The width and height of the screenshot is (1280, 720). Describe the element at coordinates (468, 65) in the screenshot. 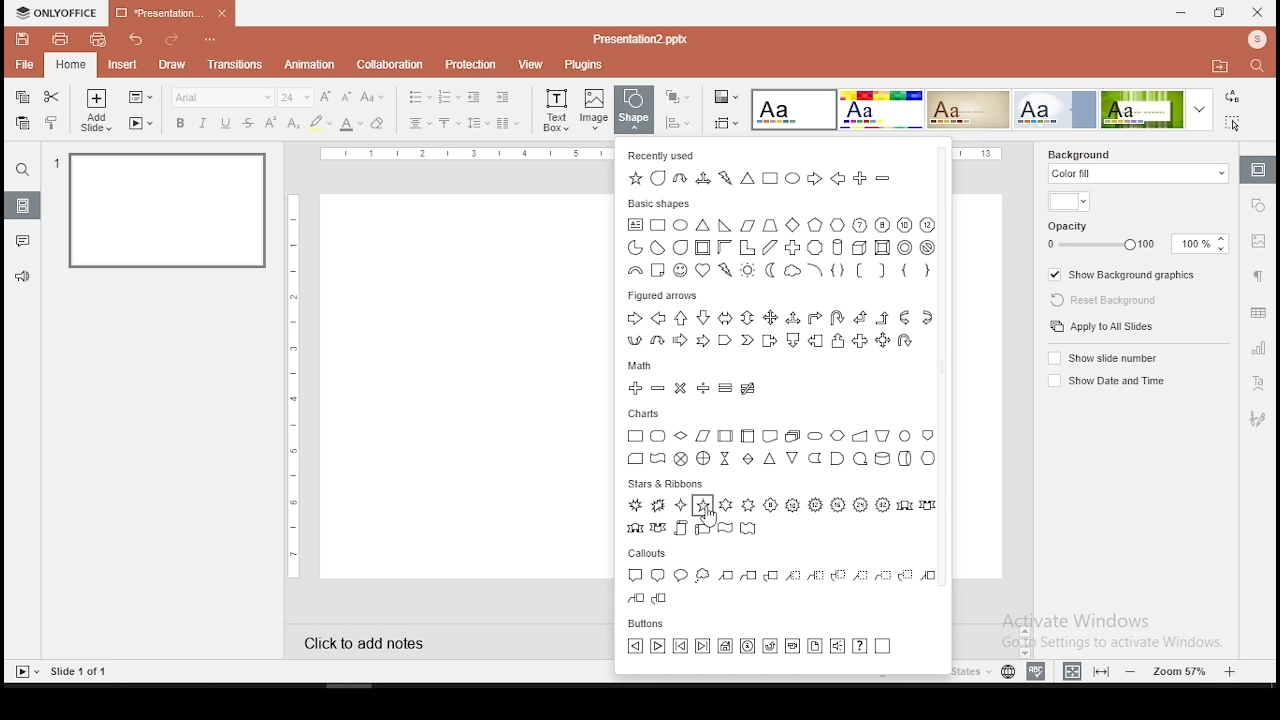

I see `protection` at that location.